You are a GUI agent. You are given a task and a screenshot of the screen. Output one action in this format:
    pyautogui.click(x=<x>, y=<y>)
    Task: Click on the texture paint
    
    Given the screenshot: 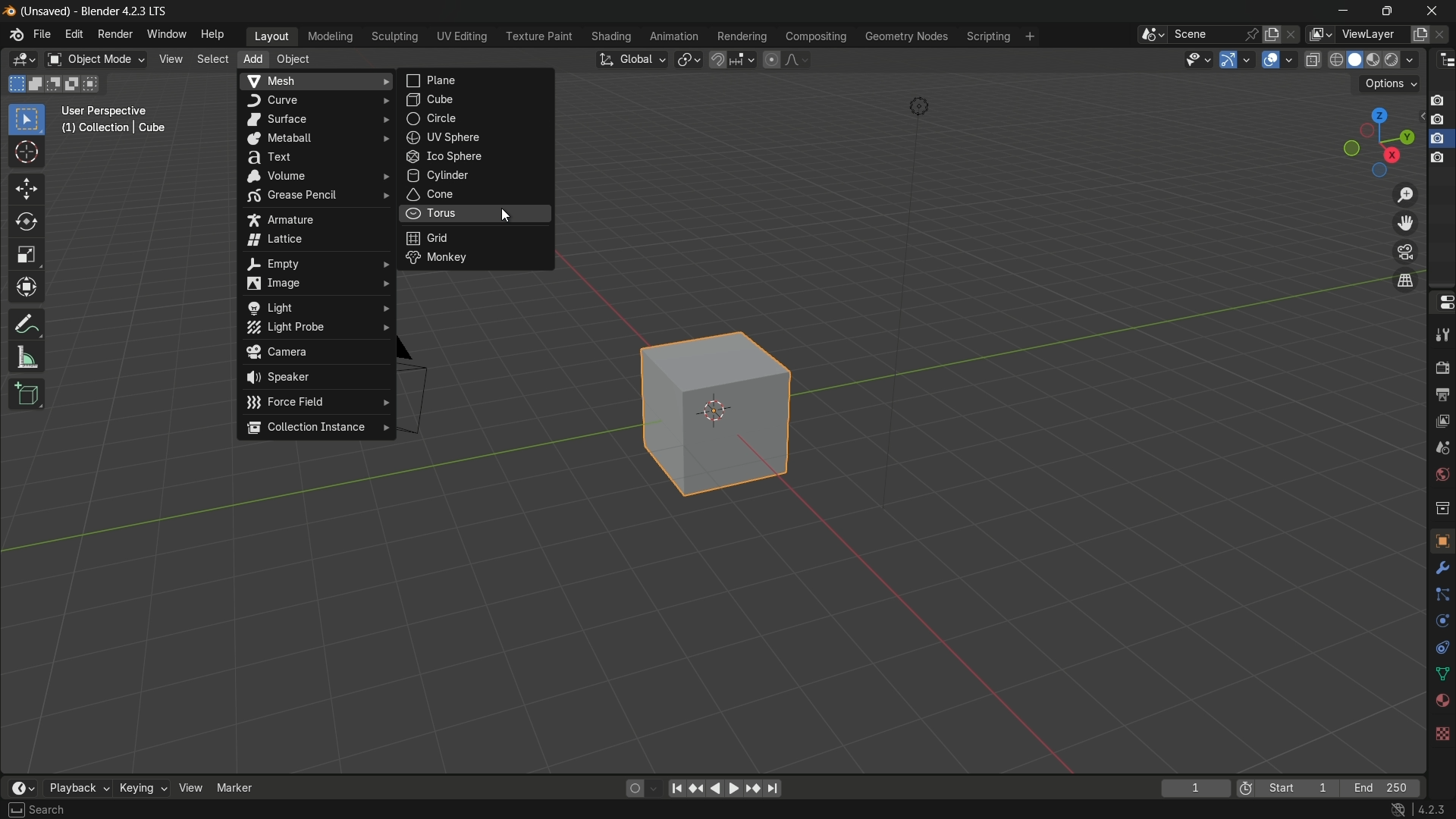 What is the action you would take?
    pyautogui.click(x=538, y=36)
    